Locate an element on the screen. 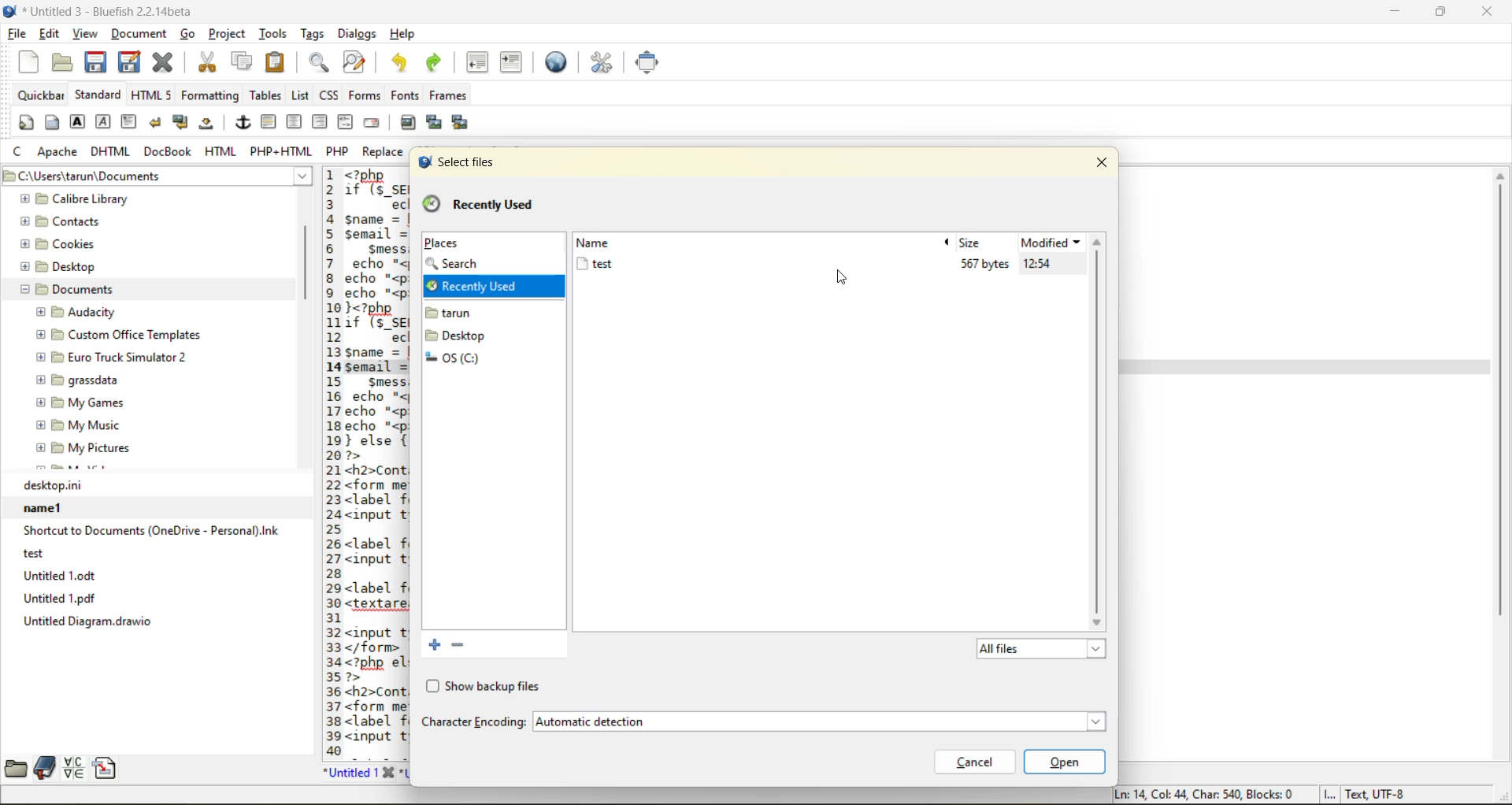  show backup files is located at coordinates (481, 687).